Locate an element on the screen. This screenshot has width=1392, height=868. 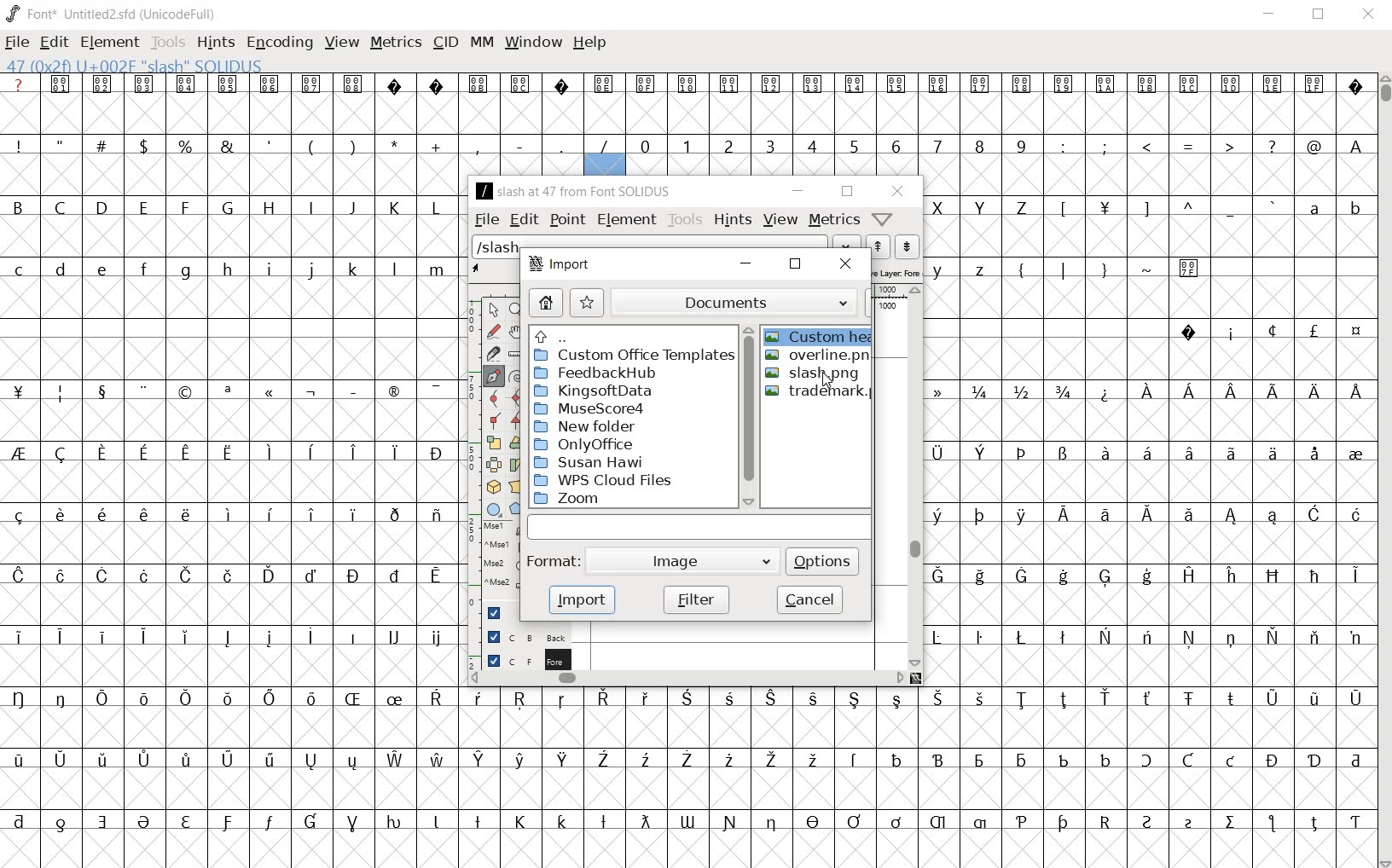
Special letters is located at coordinates (1250, 391).